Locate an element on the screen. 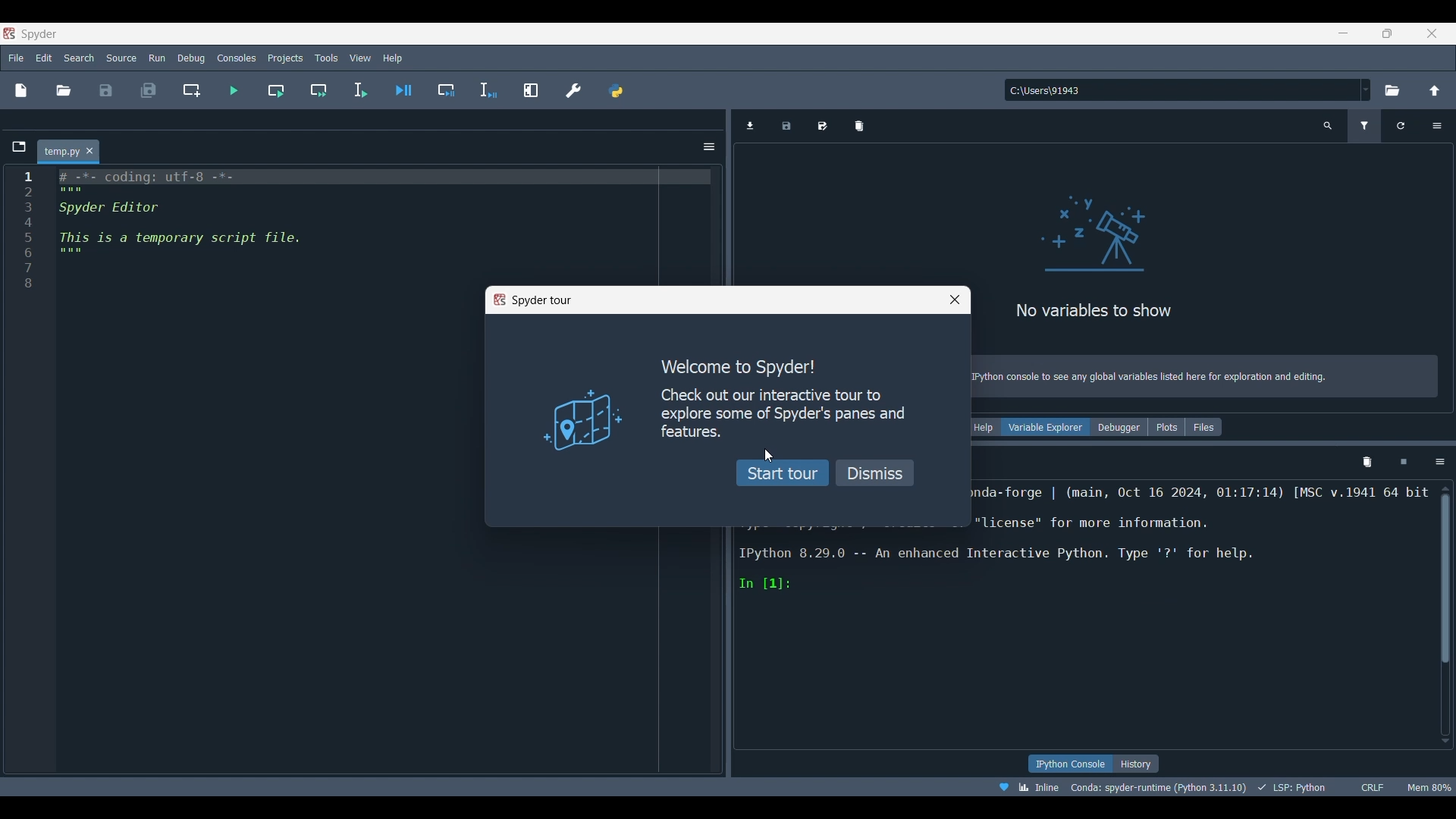 The width and height of the screenshot is (1456, 819). Save all is located at coordinates (149, 90).